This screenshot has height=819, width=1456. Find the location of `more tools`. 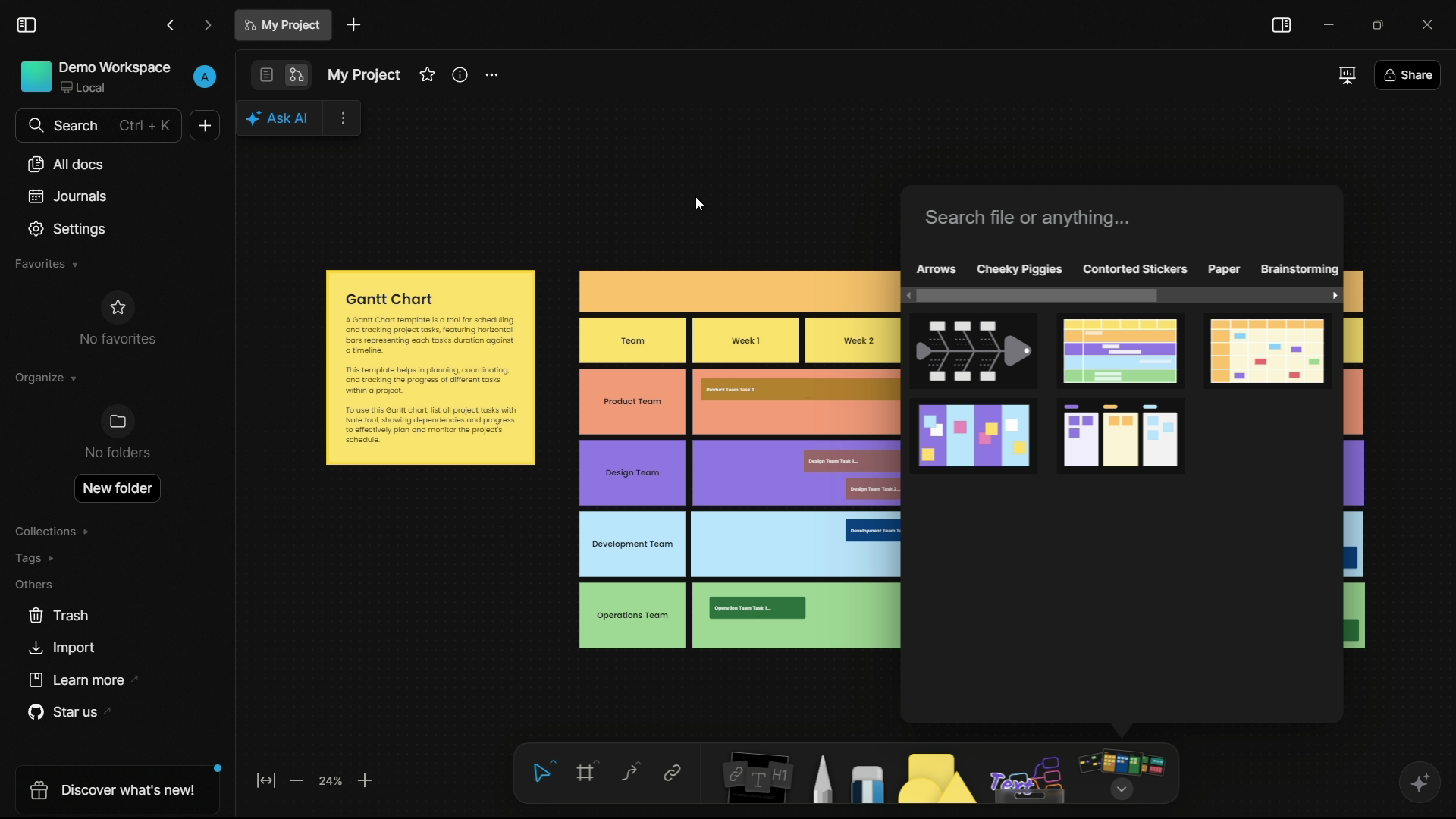

more tools is located at coordinates (1123, 773).